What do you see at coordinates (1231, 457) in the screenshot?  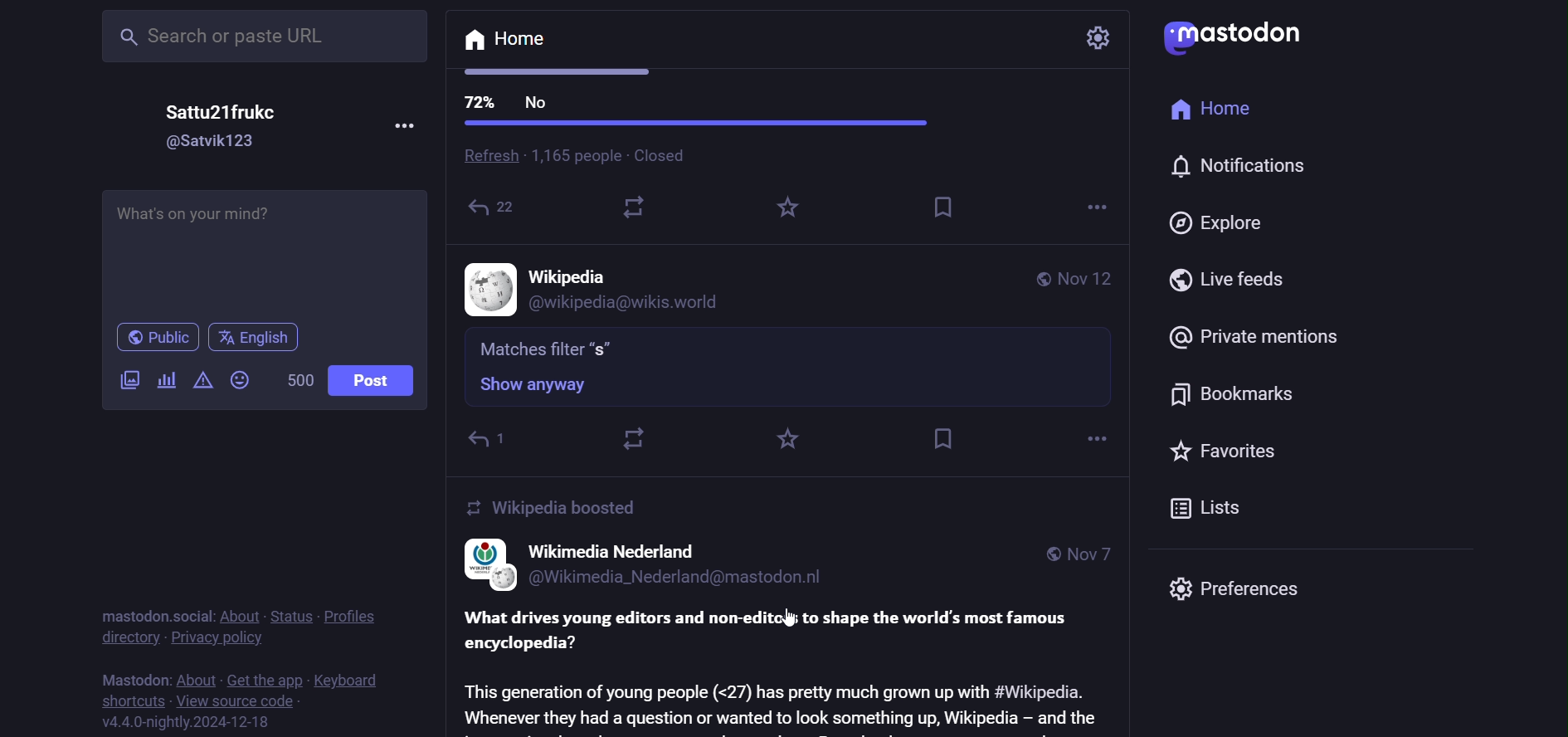 I see `favorite` at bounding box center [1231, 457].